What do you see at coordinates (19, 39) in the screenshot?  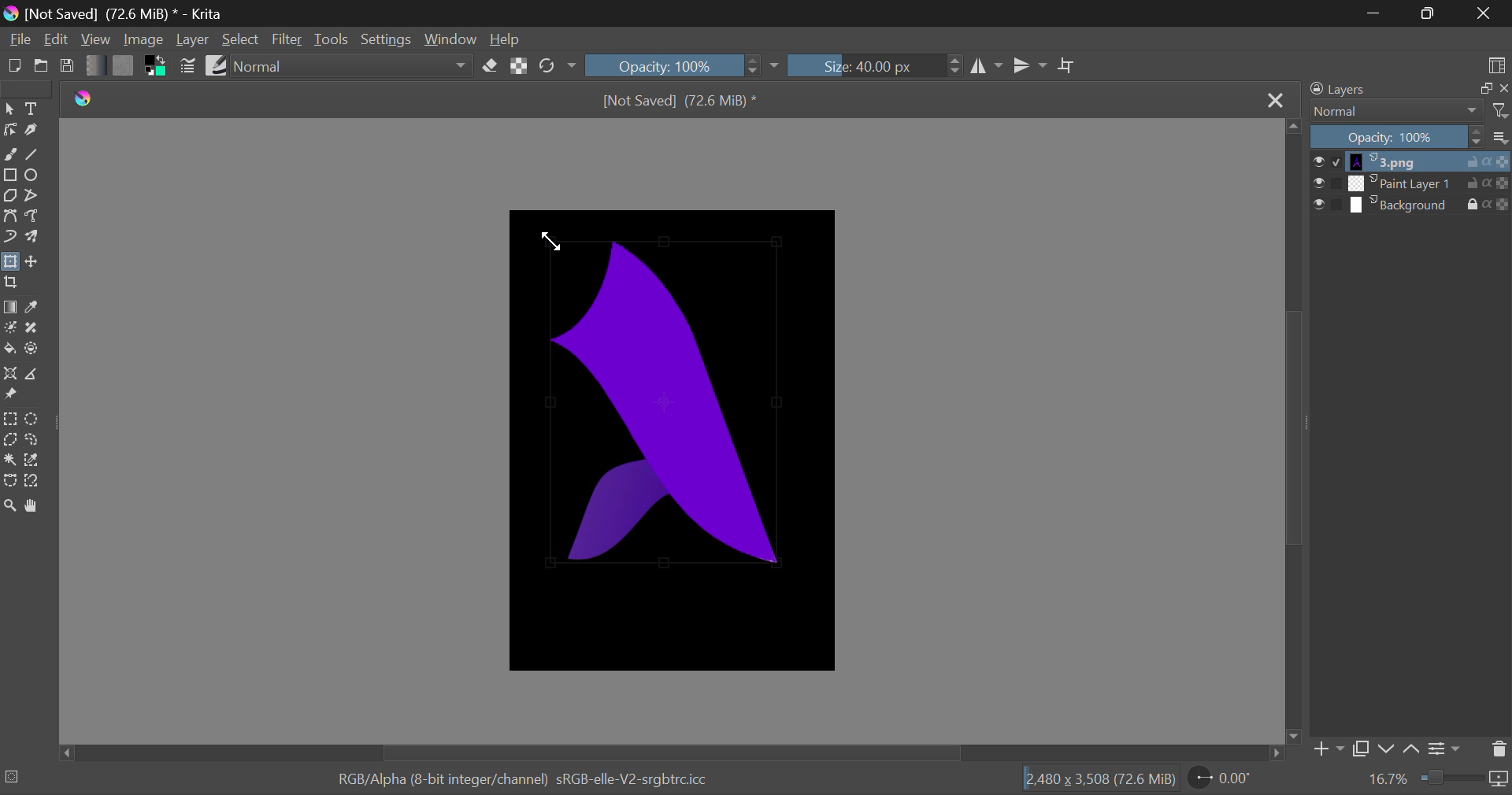 I see `File` at bounding box center [19, 39].